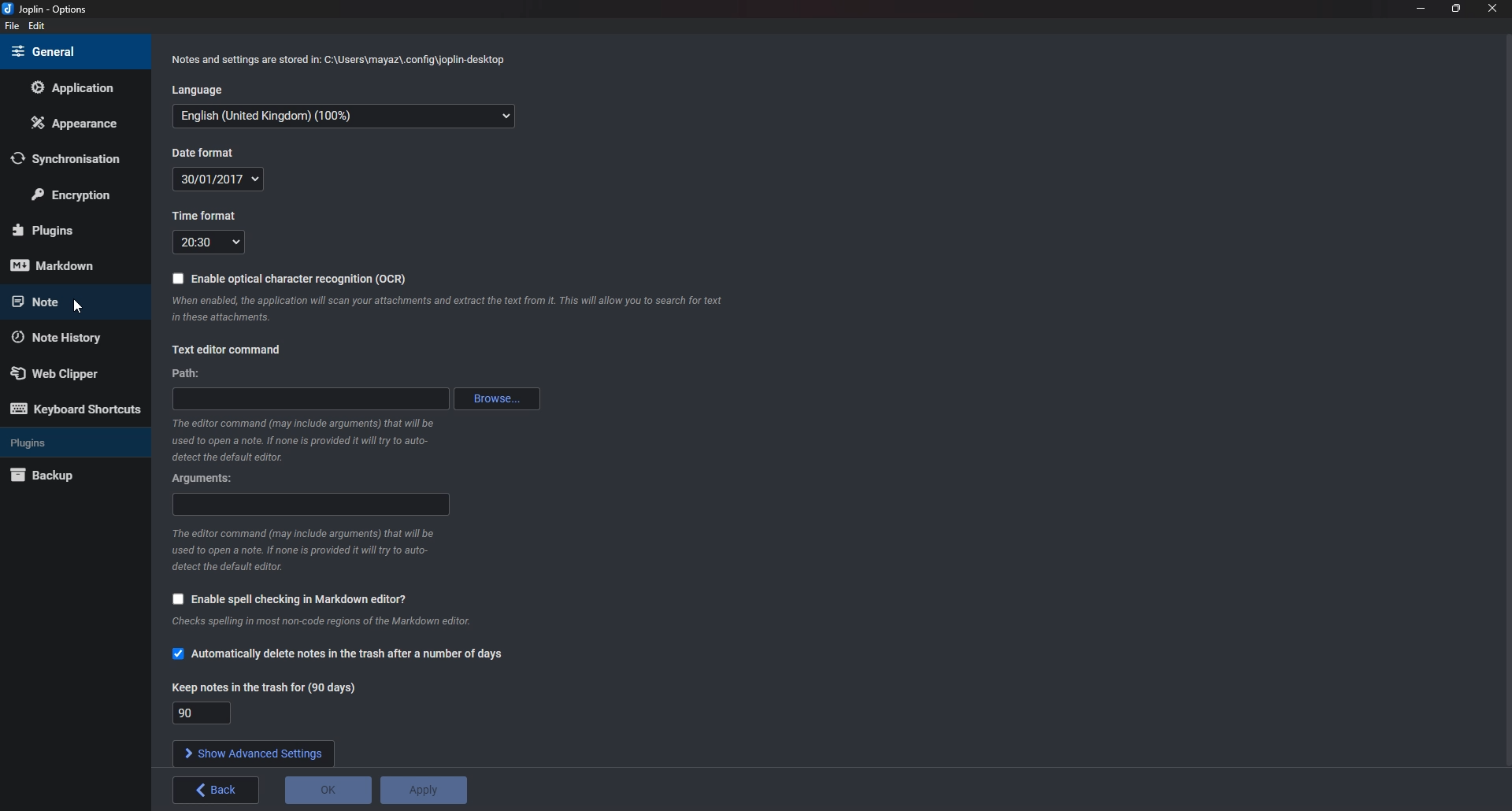 The image size is (1512, 811). Describe the element at coordinates (208, 90) in the screenshot. I see `Language` at that location.